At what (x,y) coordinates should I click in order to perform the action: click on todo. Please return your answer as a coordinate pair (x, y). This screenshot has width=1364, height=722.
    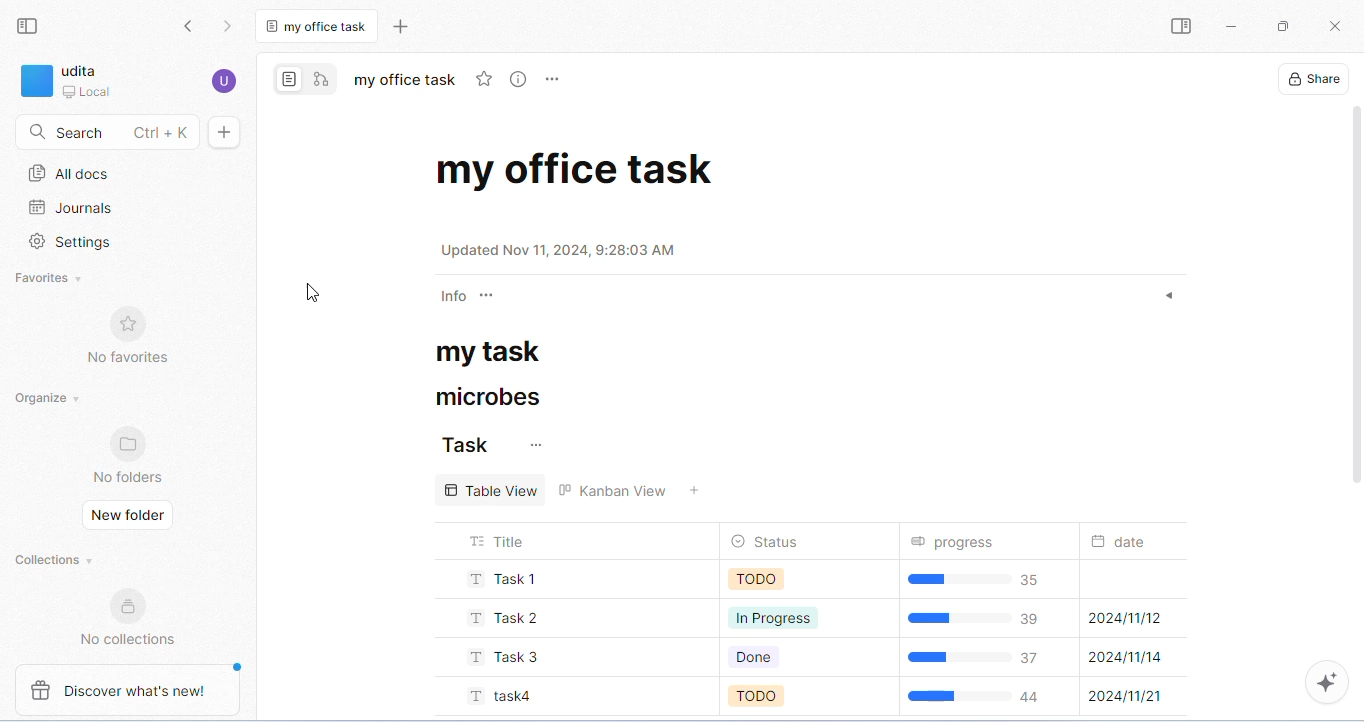
    Looking at the image, I should click on (772, 696).